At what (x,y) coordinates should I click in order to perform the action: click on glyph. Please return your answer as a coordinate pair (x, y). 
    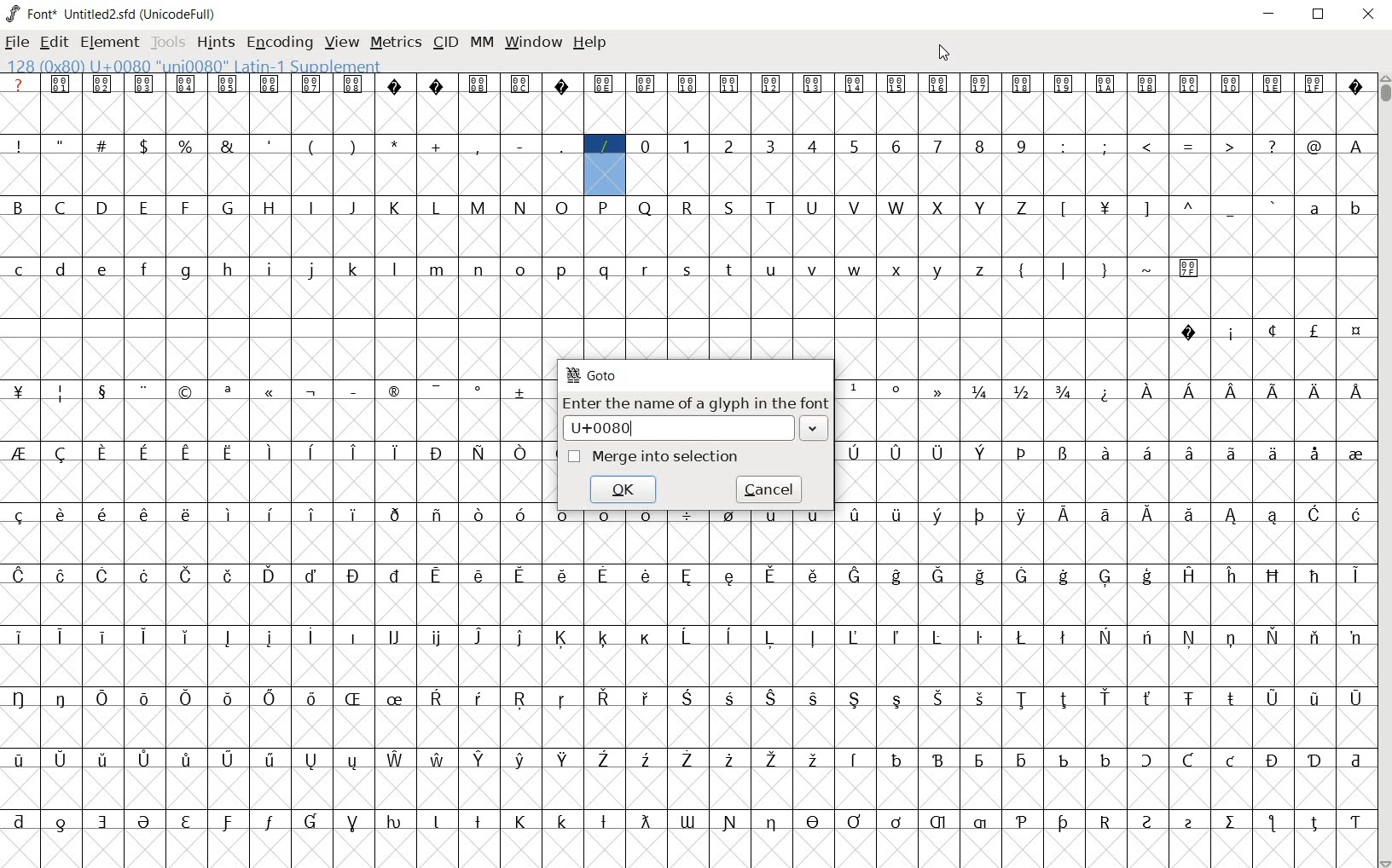
    Looking at the image, I should click on (1274, 636).